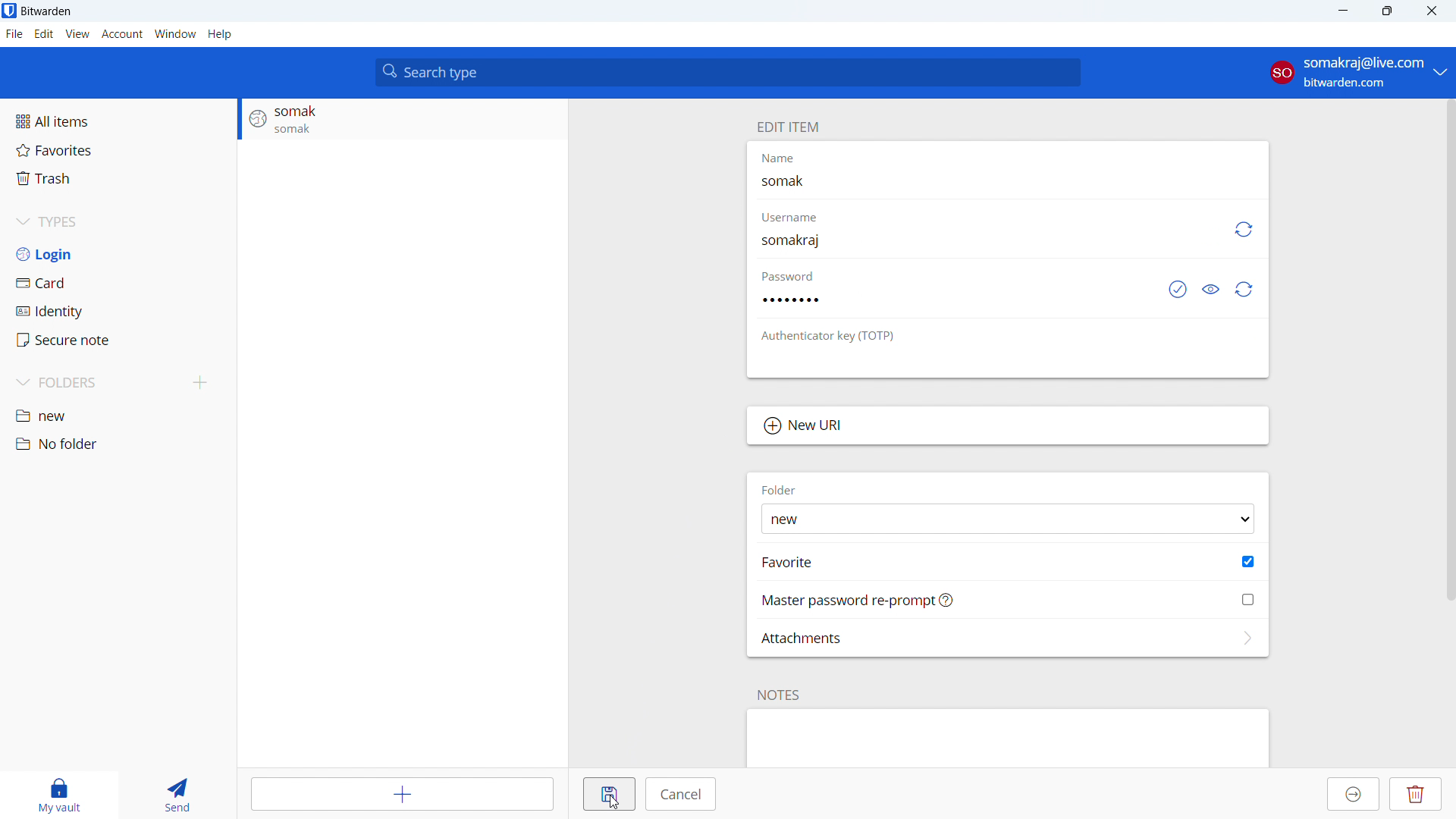  Describe the element at coordinates (617, 805) in the screenshot. I see `CURSOR` at that location.